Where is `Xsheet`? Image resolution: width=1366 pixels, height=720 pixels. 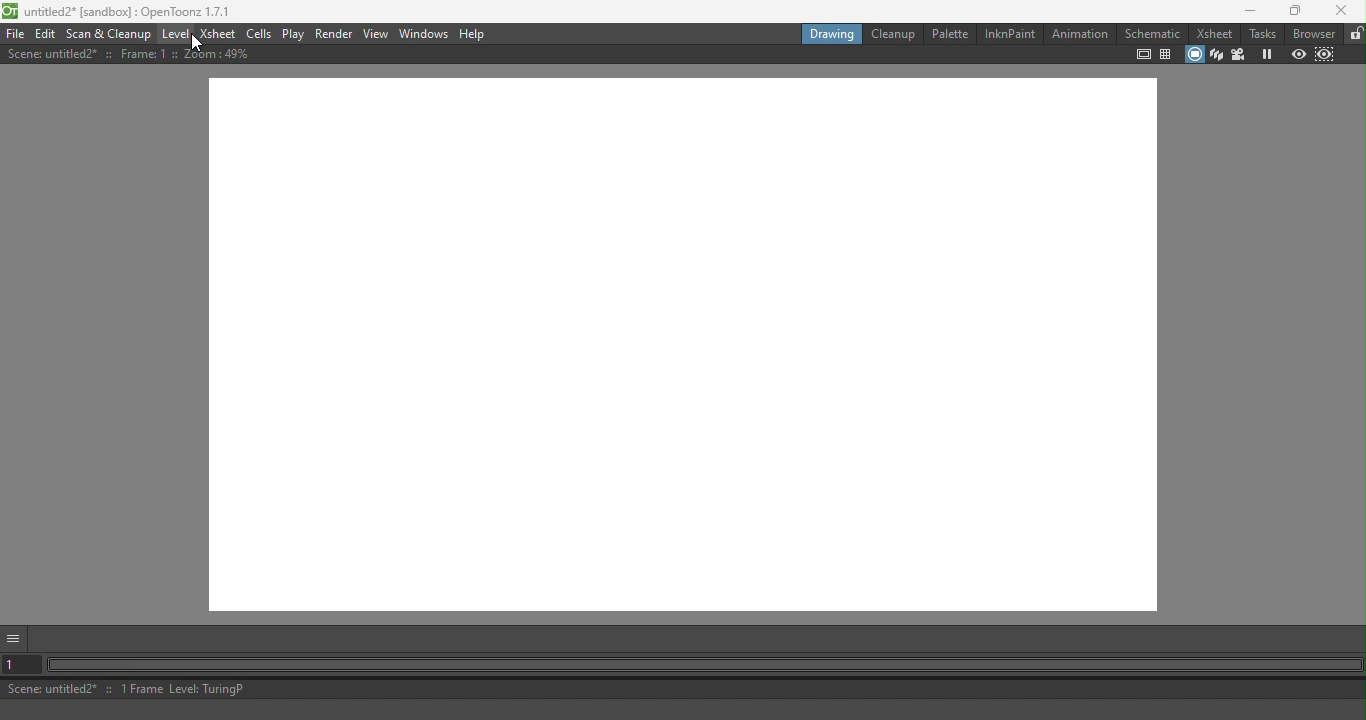
Xsheet is located at coordinates (1216, 31).